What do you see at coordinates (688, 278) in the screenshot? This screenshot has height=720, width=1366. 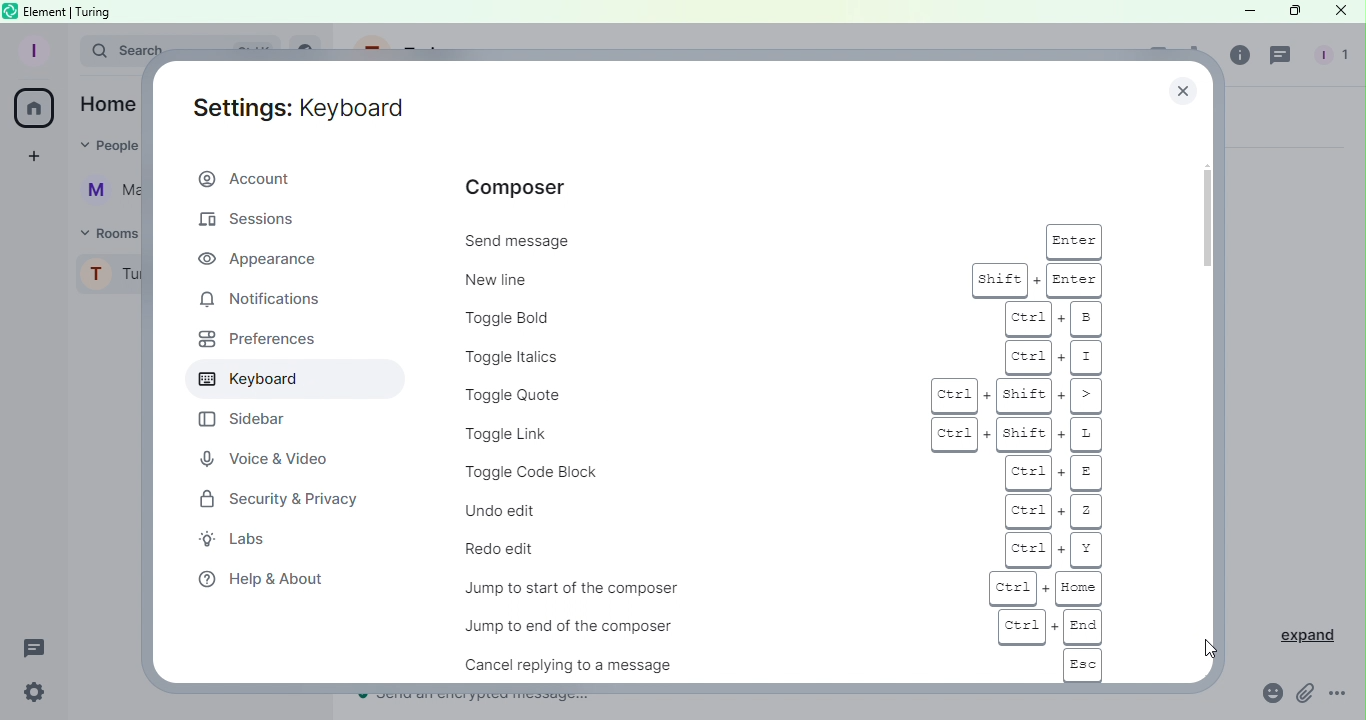 I see `New line` at bounding box center [688, 278].